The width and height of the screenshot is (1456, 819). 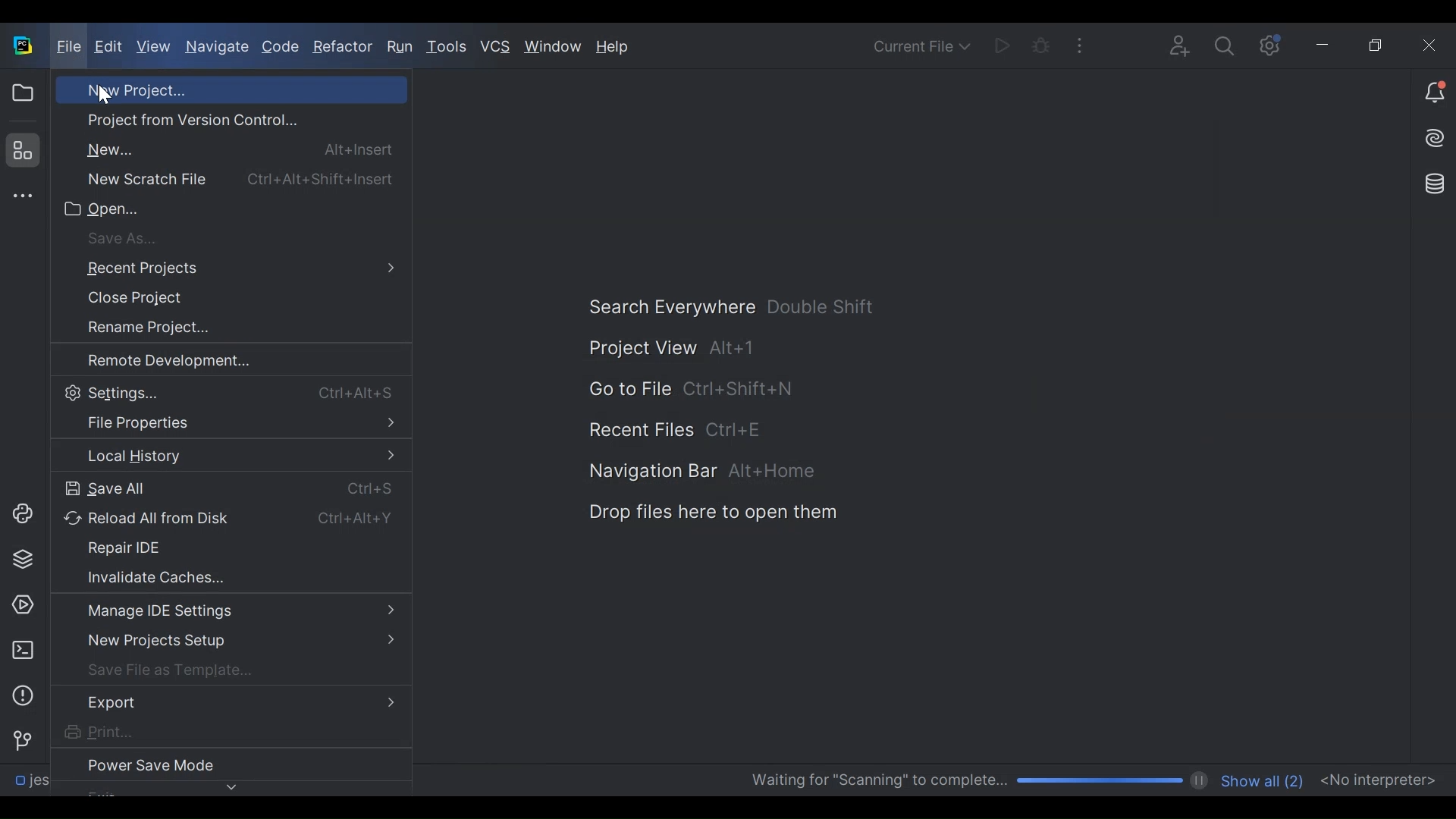 I want to click on Reload all from disk, so click(x=231, y=520).